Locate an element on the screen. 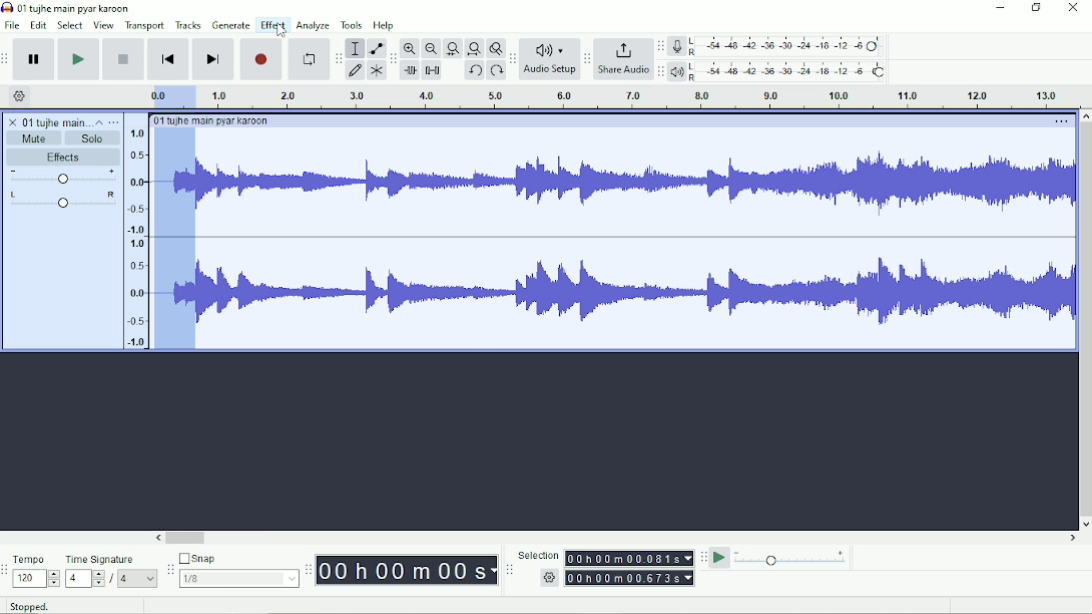 The image size is (1092, 614). Options is located at coordinates (1059, 123).